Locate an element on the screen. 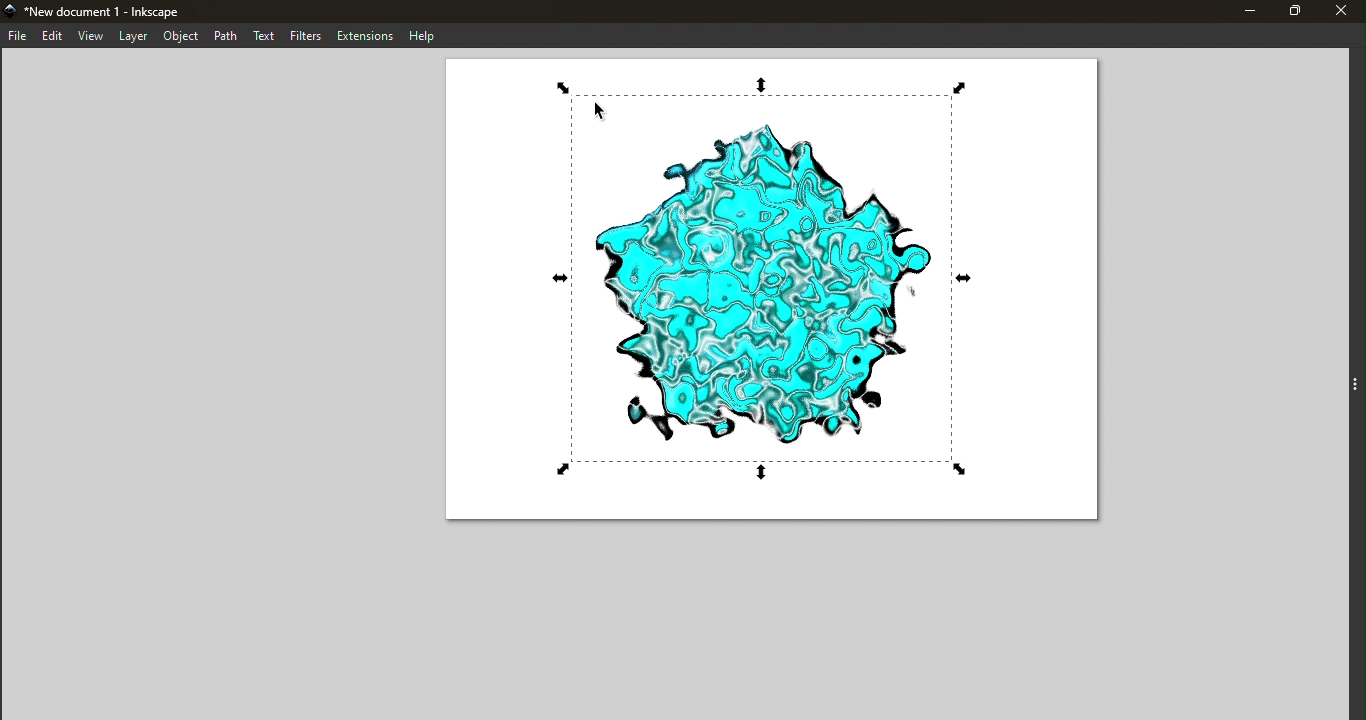 The height and width of the screenshot is (720, 1366). Edit is located at coordinates (51, 36).